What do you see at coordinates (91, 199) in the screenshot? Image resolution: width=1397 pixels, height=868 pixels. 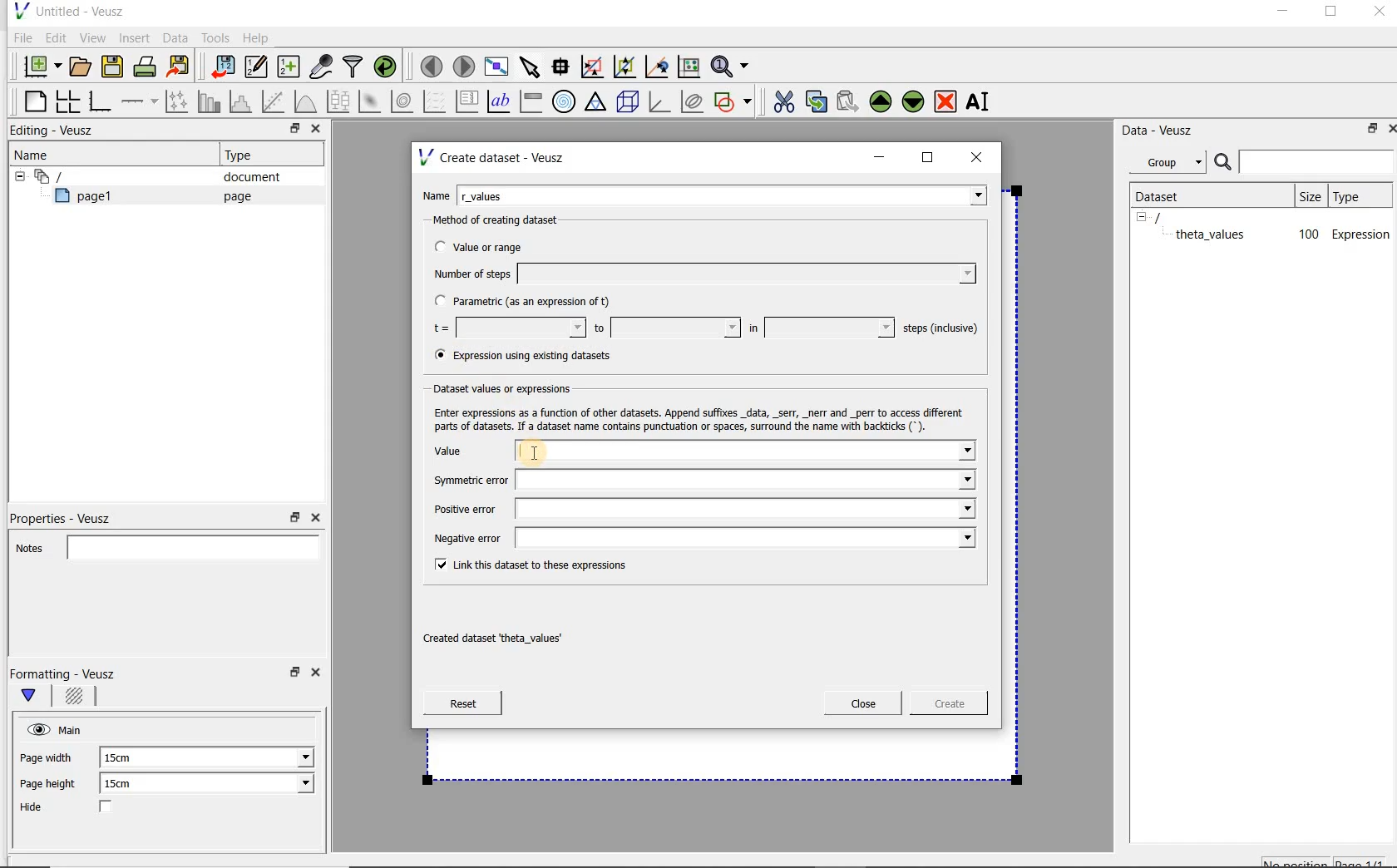 I see `page1` at bounding box center [91, 199].